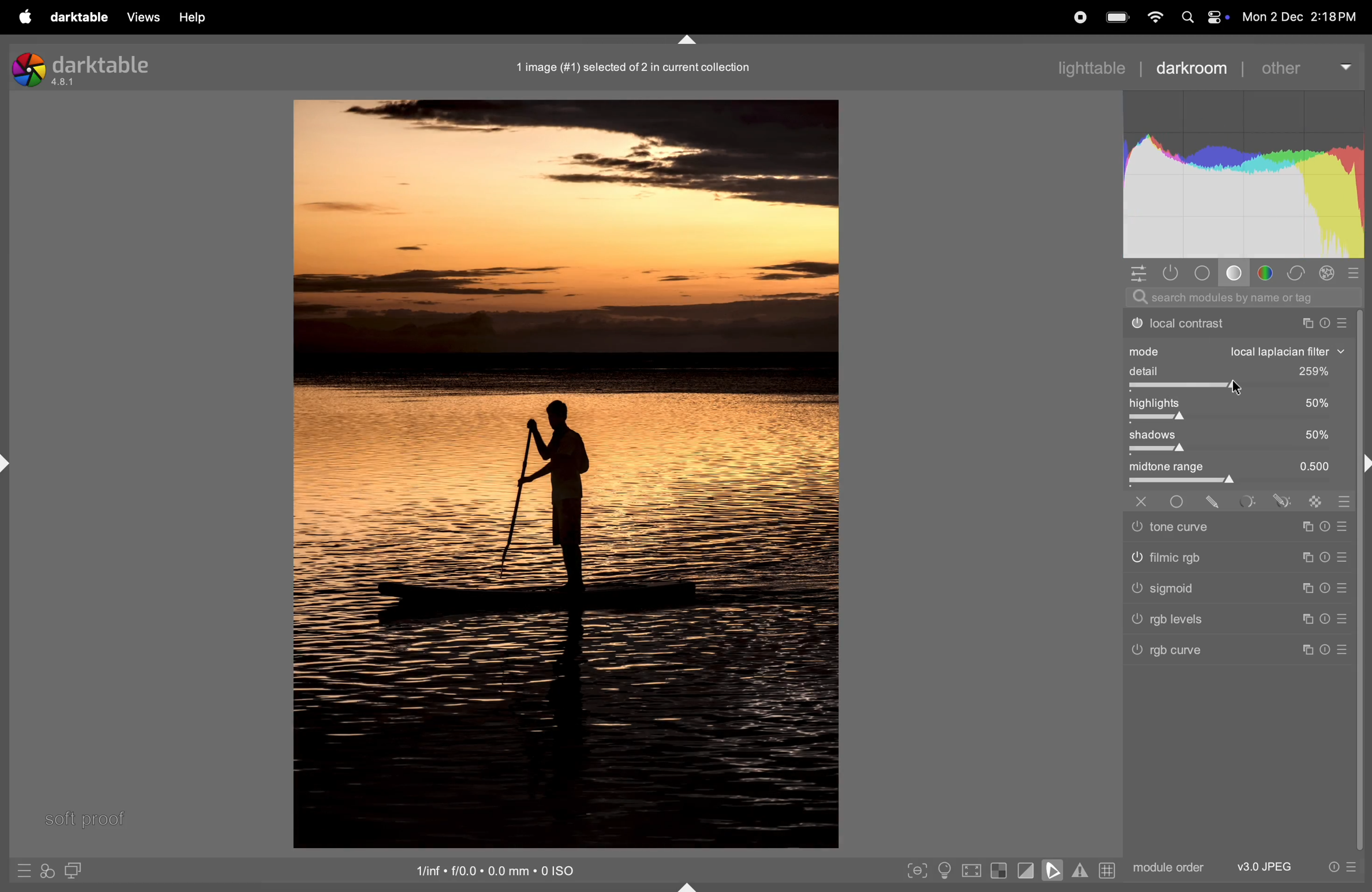 The width and height of the screenshot is (1372, 892). What do you see at coordinates (1218, 502) in the screenshot?
I see `sign` at bounding box center [1218, 502].